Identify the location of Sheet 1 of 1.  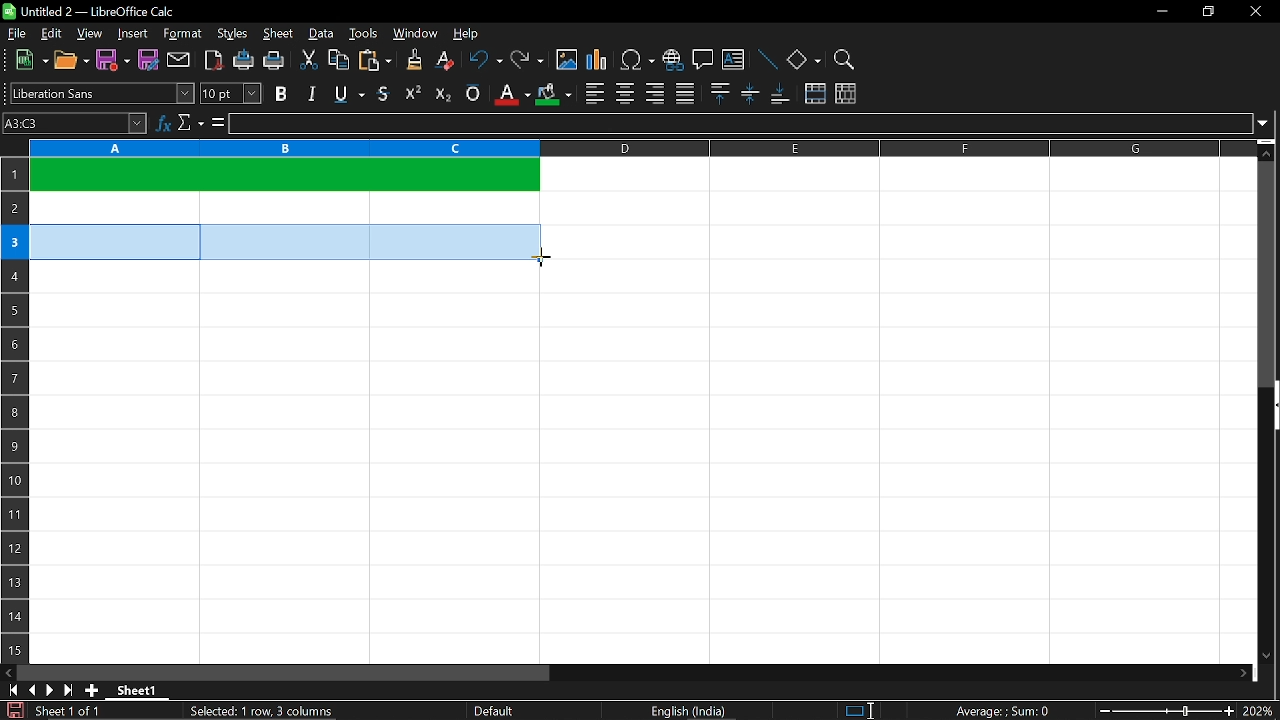
(68, 711).